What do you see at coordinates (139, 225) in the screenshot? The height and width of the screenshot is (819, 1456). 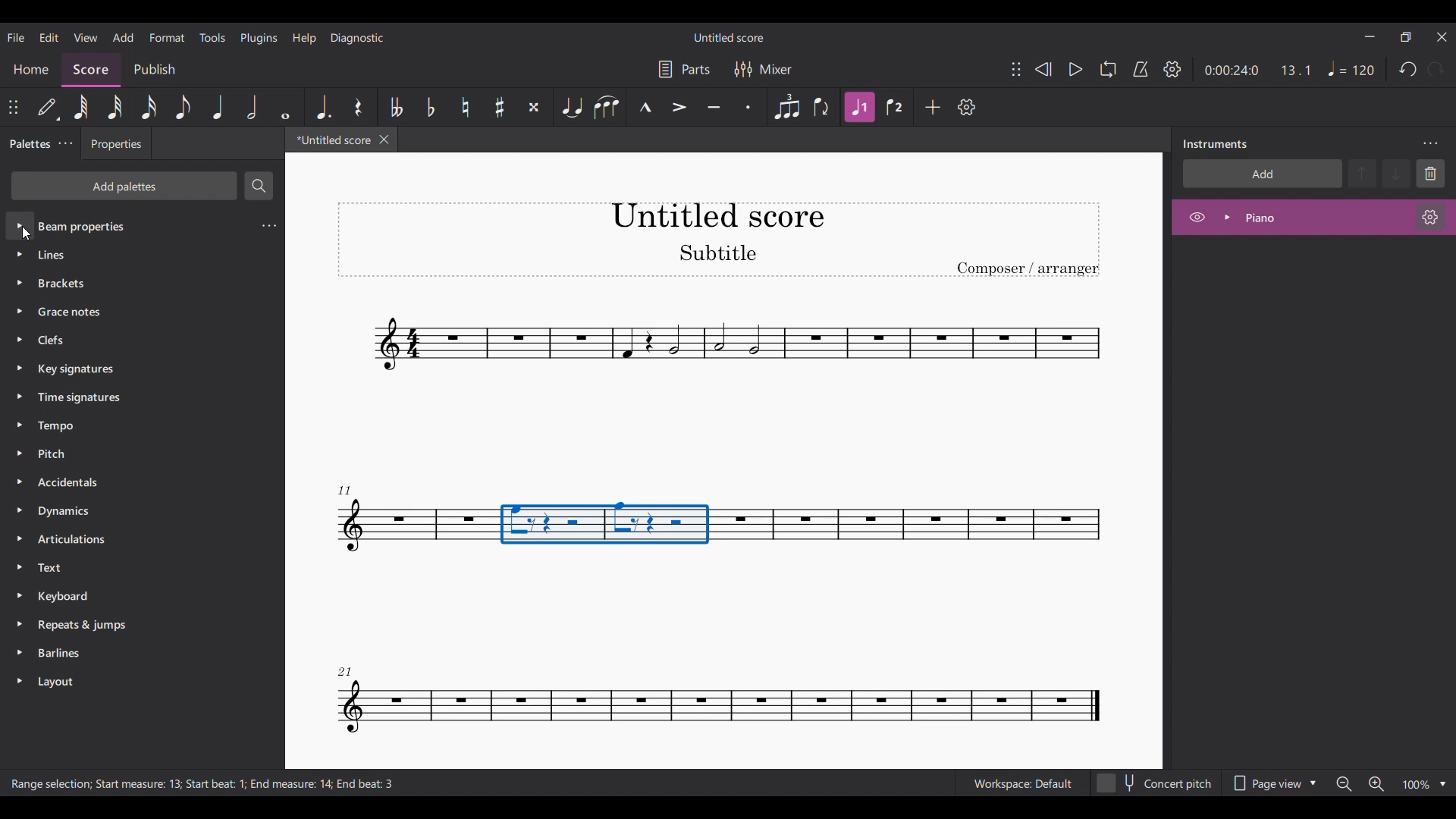 I see `Beam properties` at bounding box center [139, 225].